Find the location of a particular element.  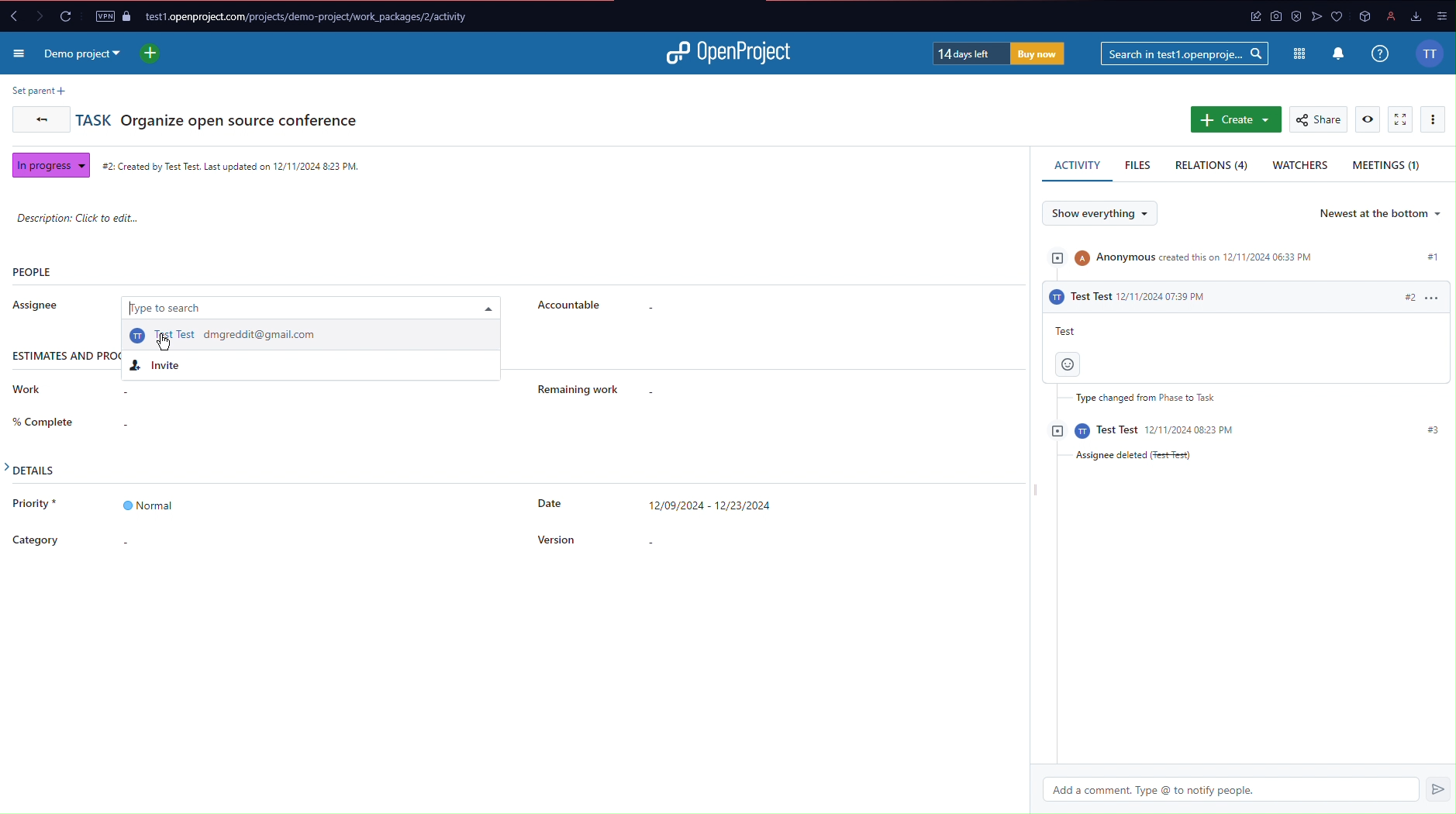

Description is located at coordinates (79, 217).